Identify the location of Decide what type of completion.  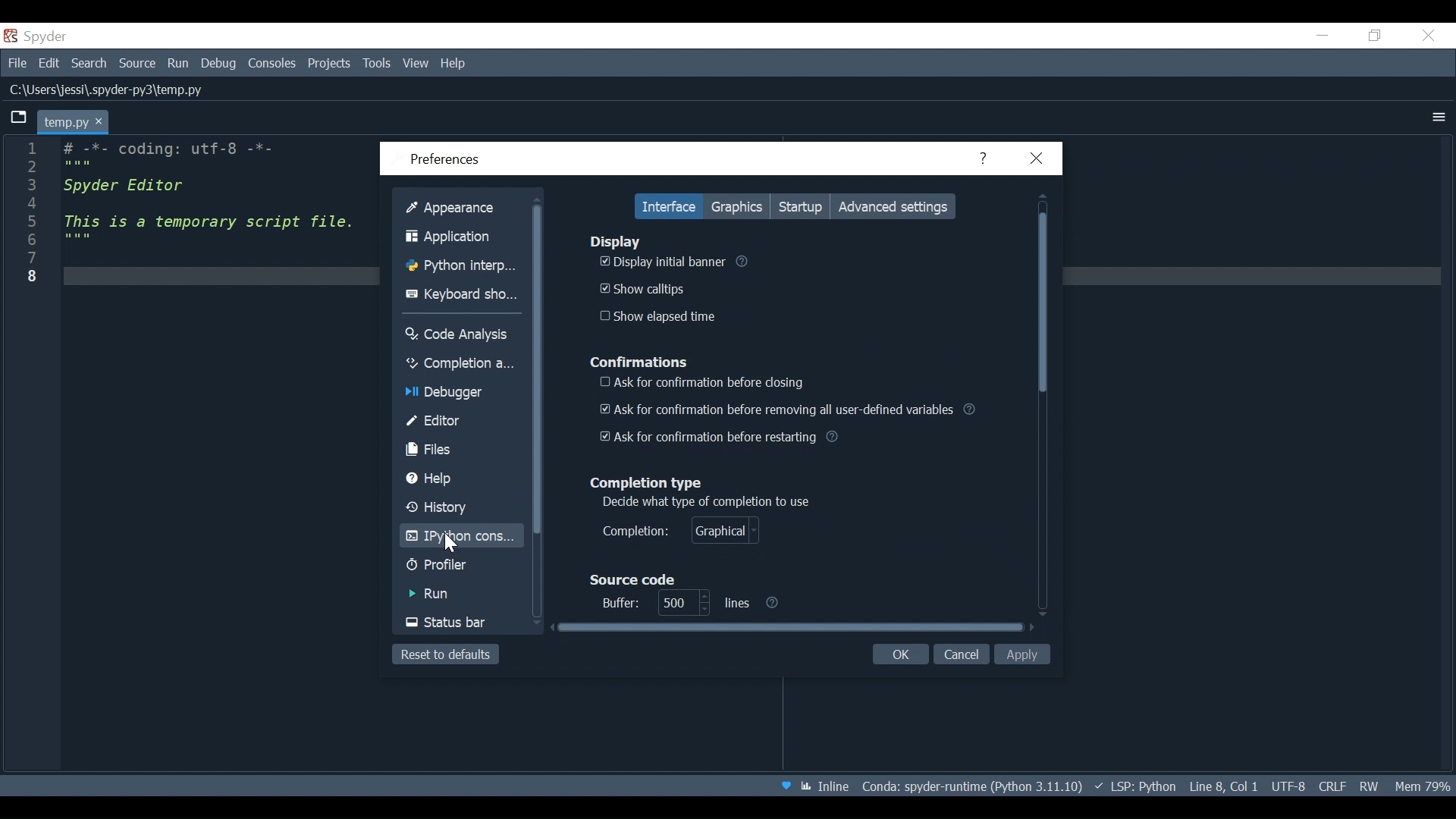
(707, 503).